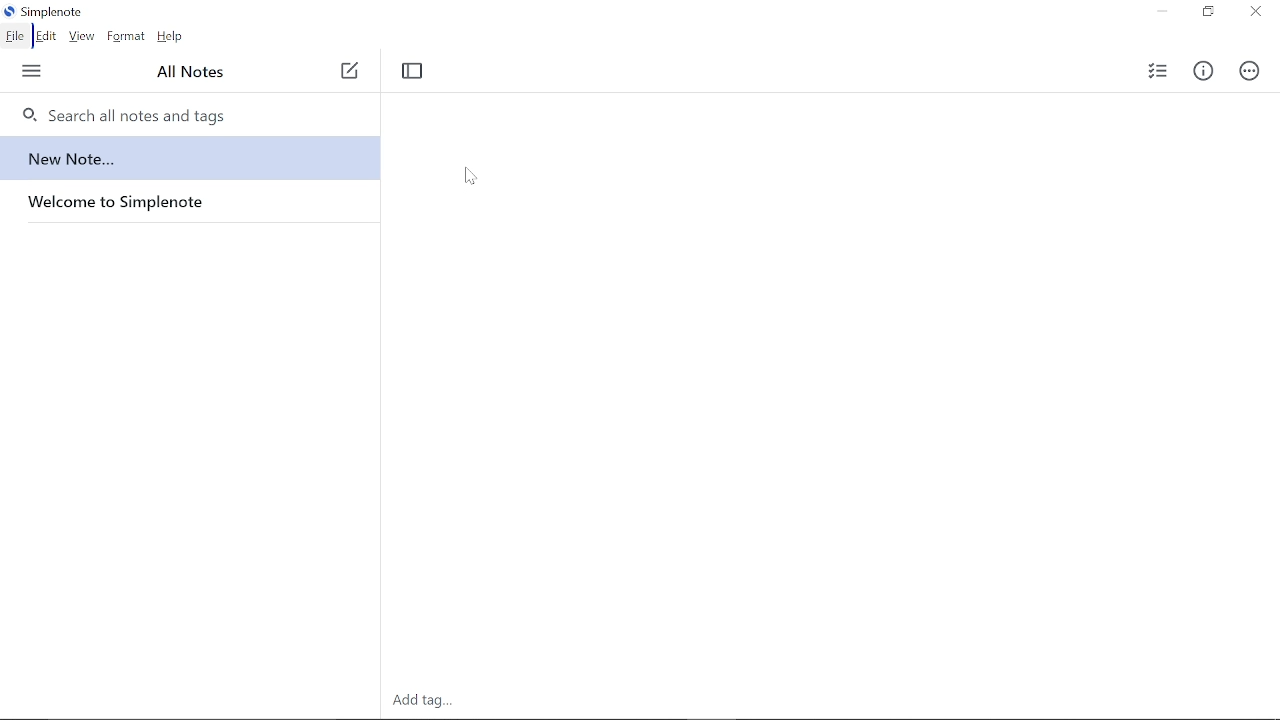  Describe the element at coordinates (346, 68) in the screenshot. I see `New note` at that location.